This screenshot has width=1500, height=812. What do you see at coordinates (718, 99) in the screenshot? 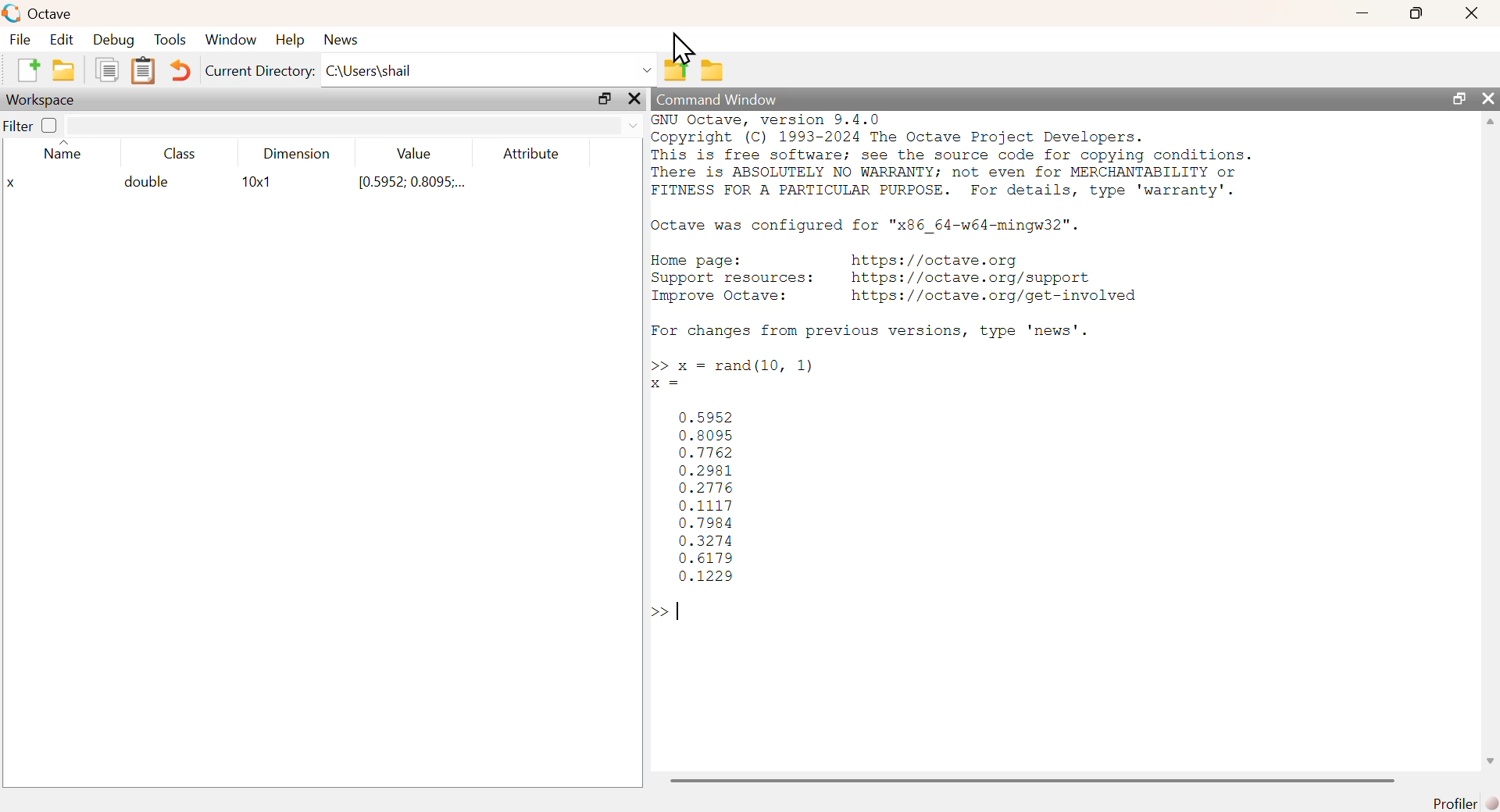
I see `command window` at bounding box center [718, 99].